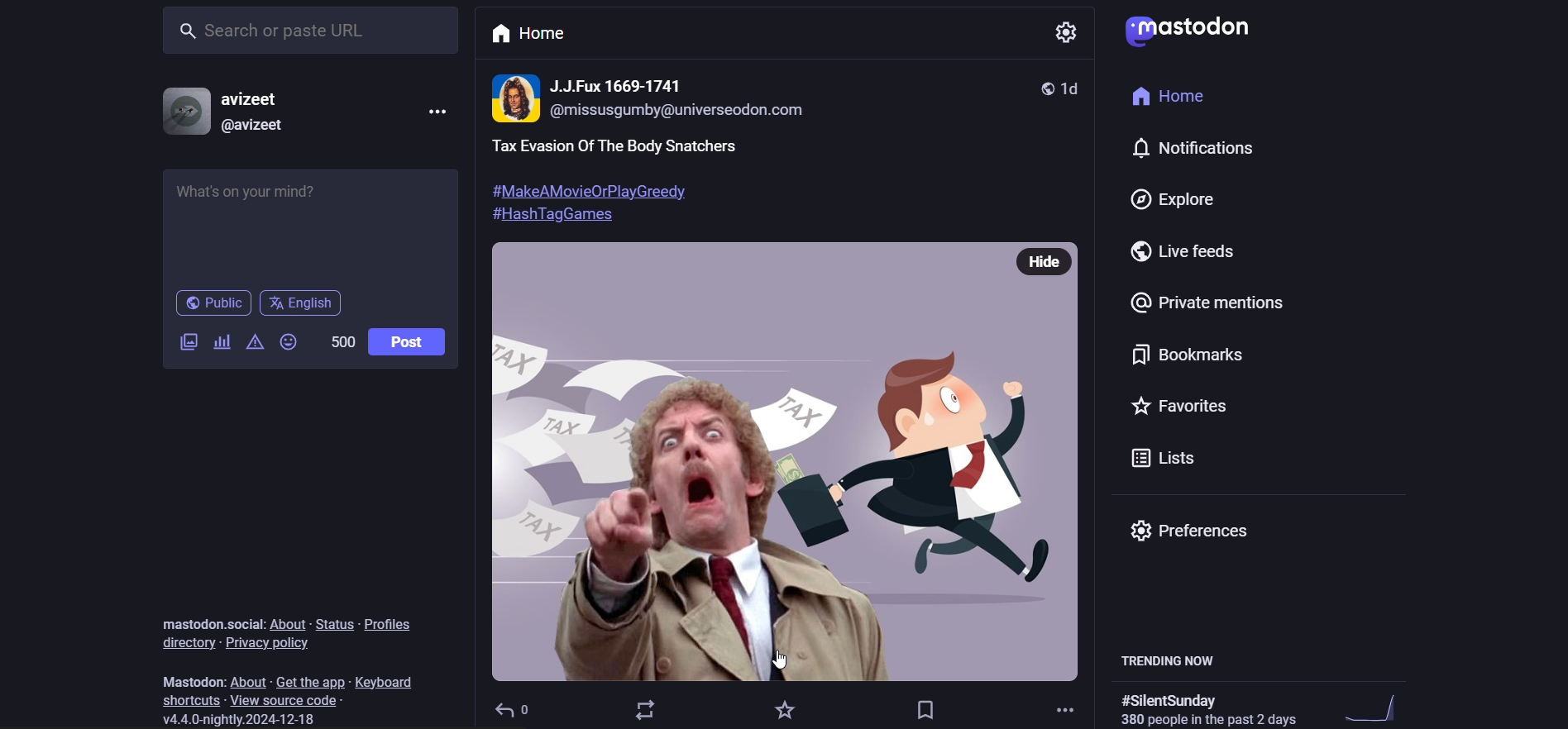  Describe the element at coordinates (308, 31) in the screenshot. I see `search` at that location.